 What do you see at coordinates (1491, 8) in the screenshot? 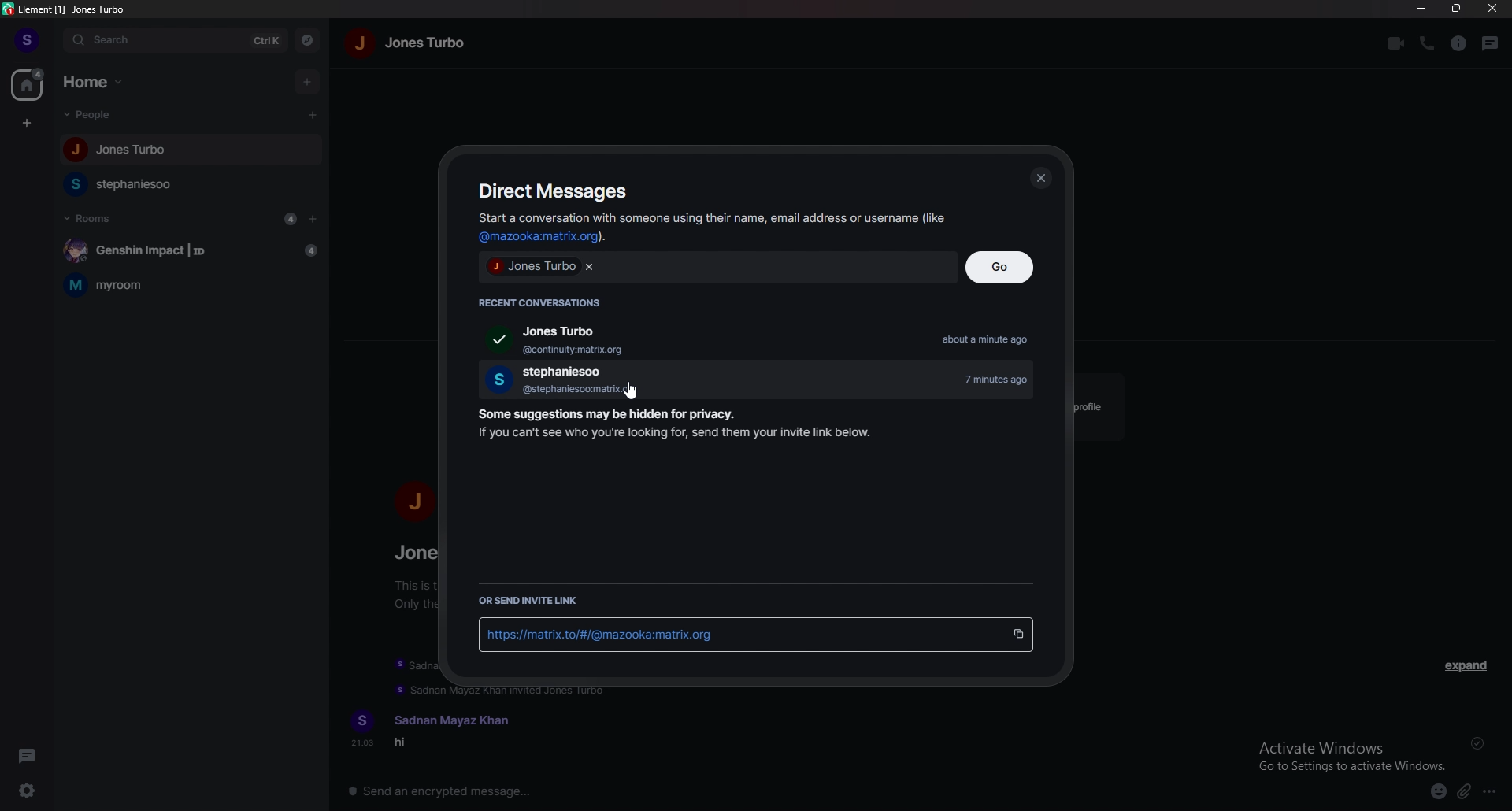
I see `close` at bounding box center [1491, 8].